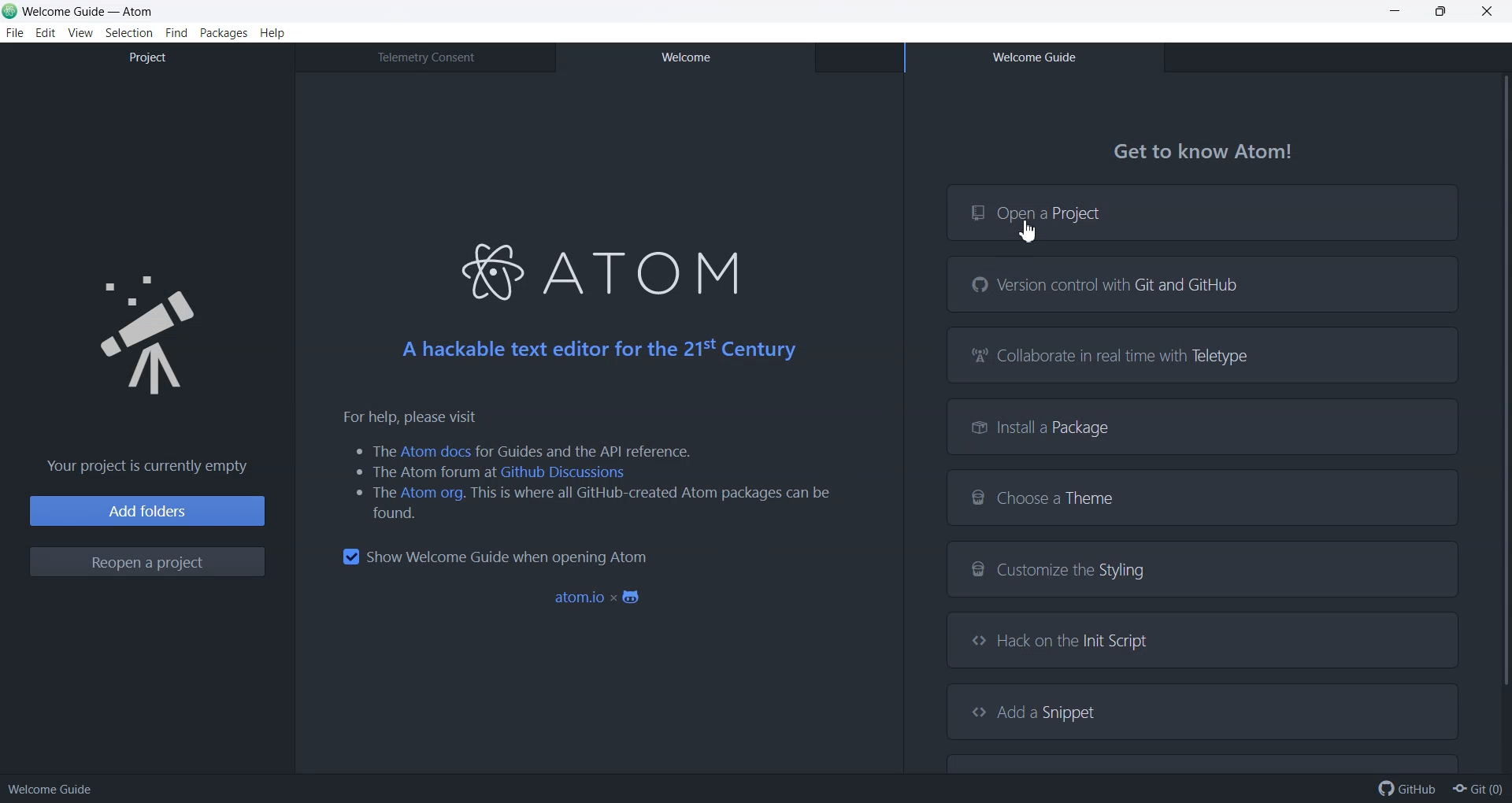 The width and height of the screenshot is (1512, 803). I want to click on Edit, so click(46, 33).